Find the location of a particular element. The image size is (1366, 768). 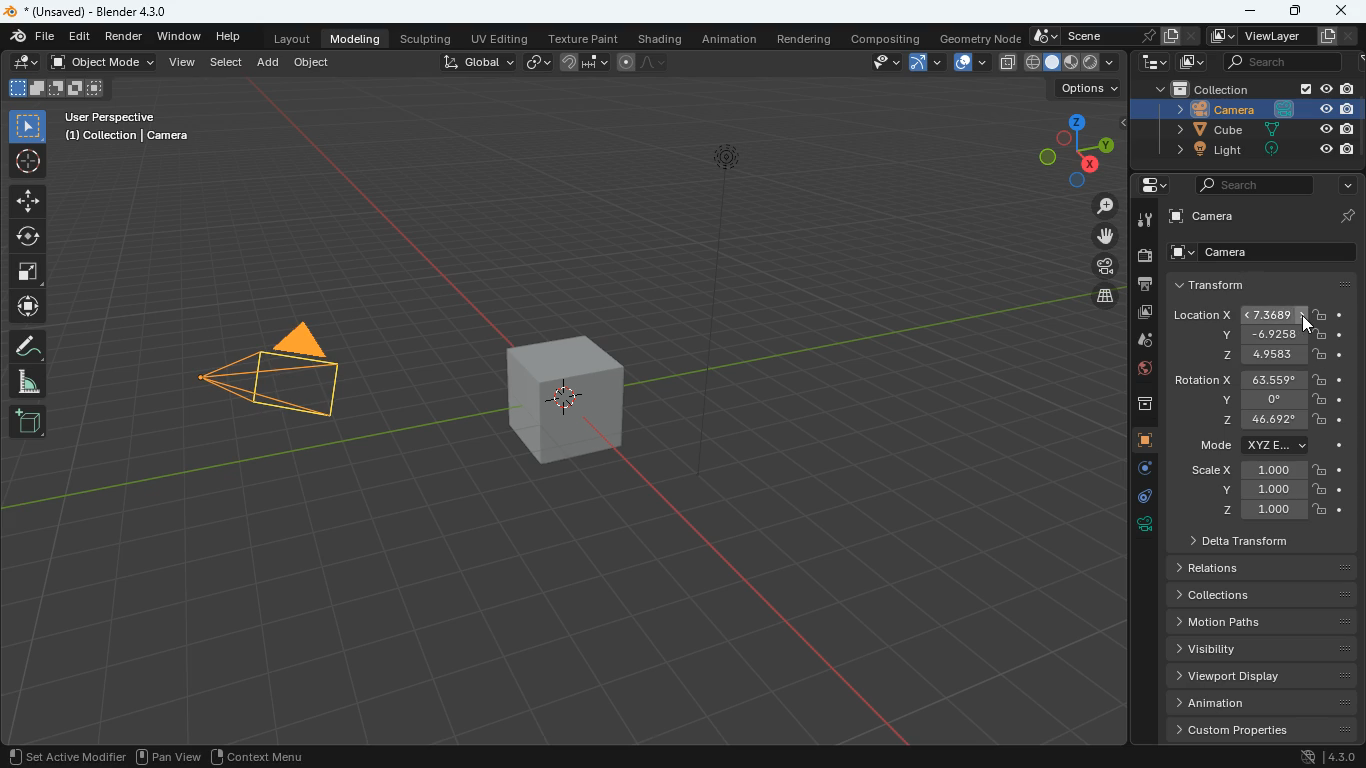

add is located at coordinates (267, 64).